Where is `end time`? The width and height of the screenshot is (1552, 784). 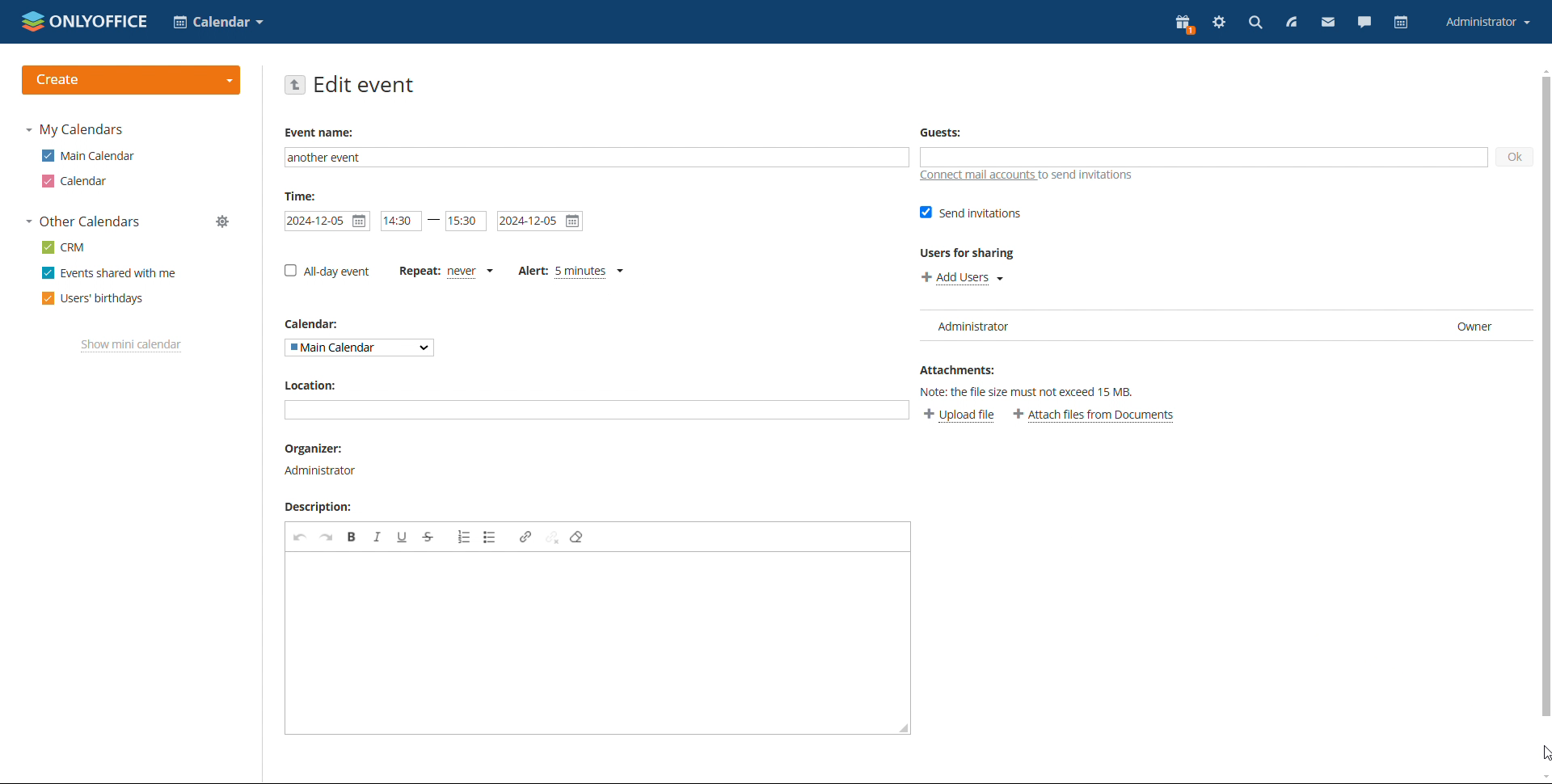
end time is located at coordinates (466, 221).